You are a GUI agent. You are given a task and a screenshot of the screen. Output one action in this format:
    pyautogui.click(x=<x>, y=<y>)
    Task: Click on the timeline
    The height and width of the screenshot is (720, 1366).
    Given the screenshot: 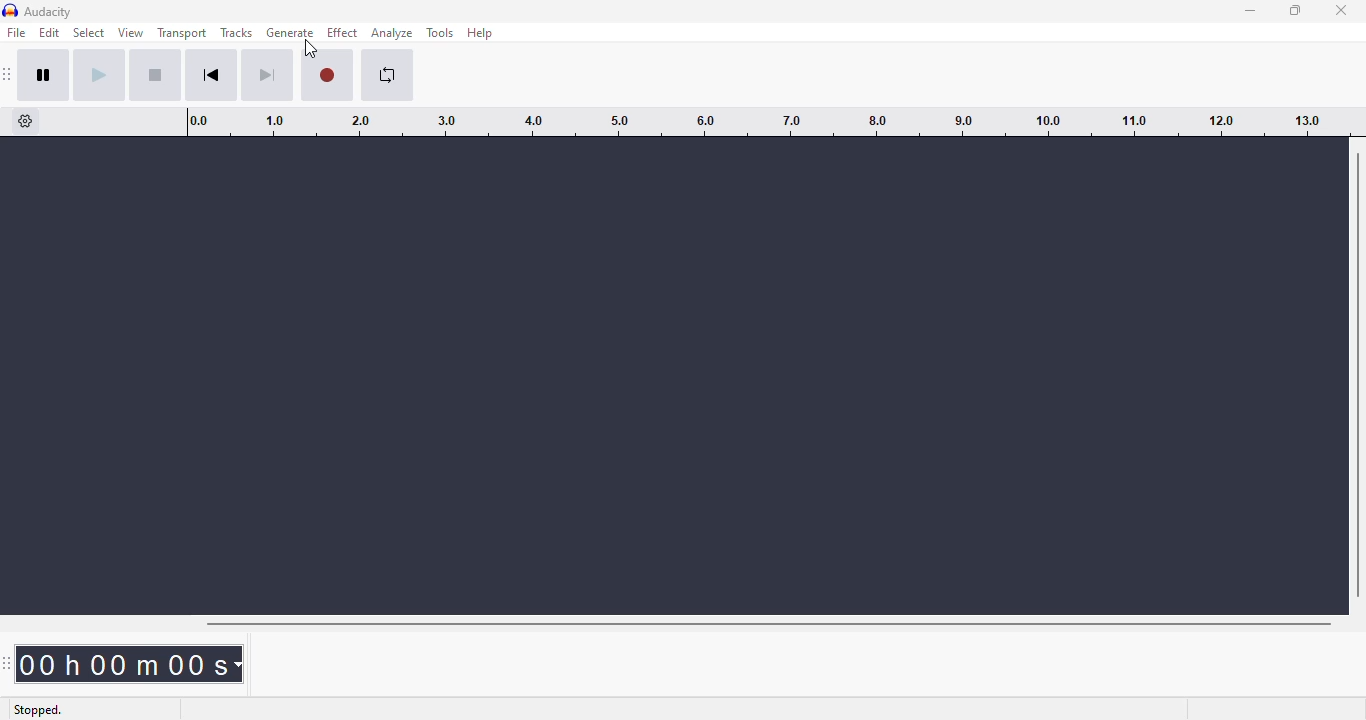 What is the action you would take?
    pyautogui.click(x=760, y=122)
    